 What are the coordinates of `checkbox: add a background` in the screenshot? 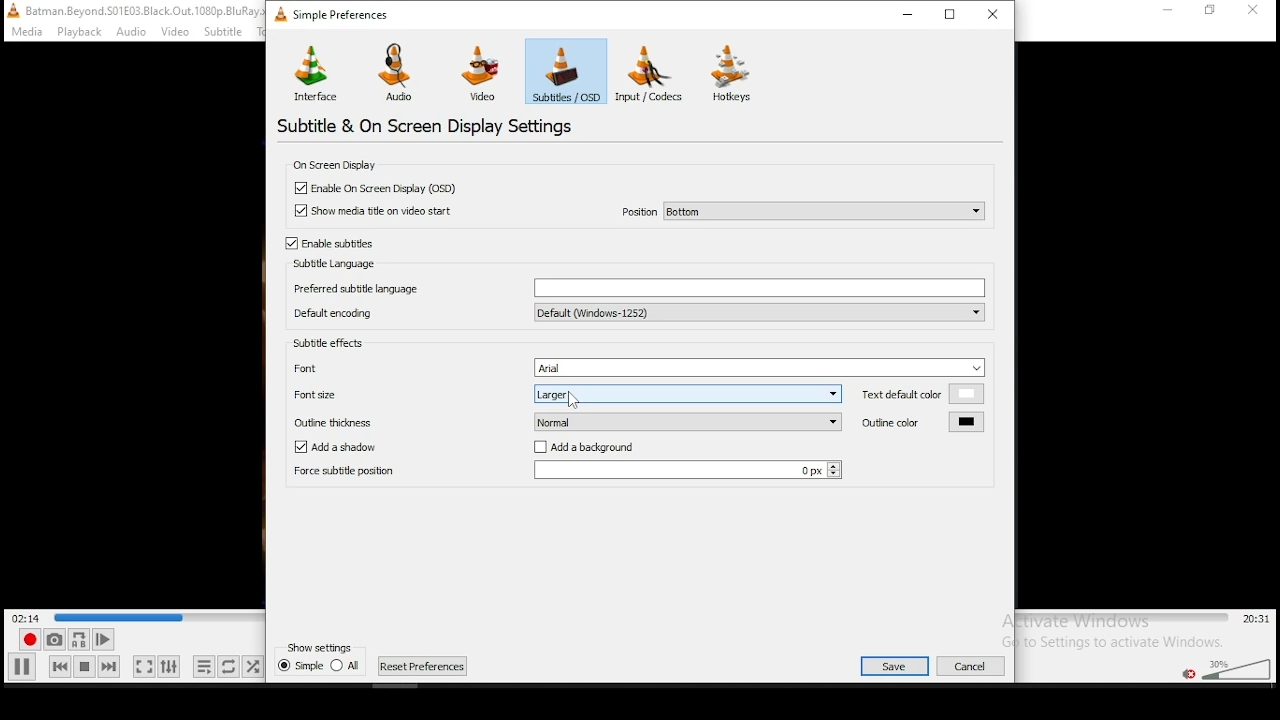 It's located at (592, 448).